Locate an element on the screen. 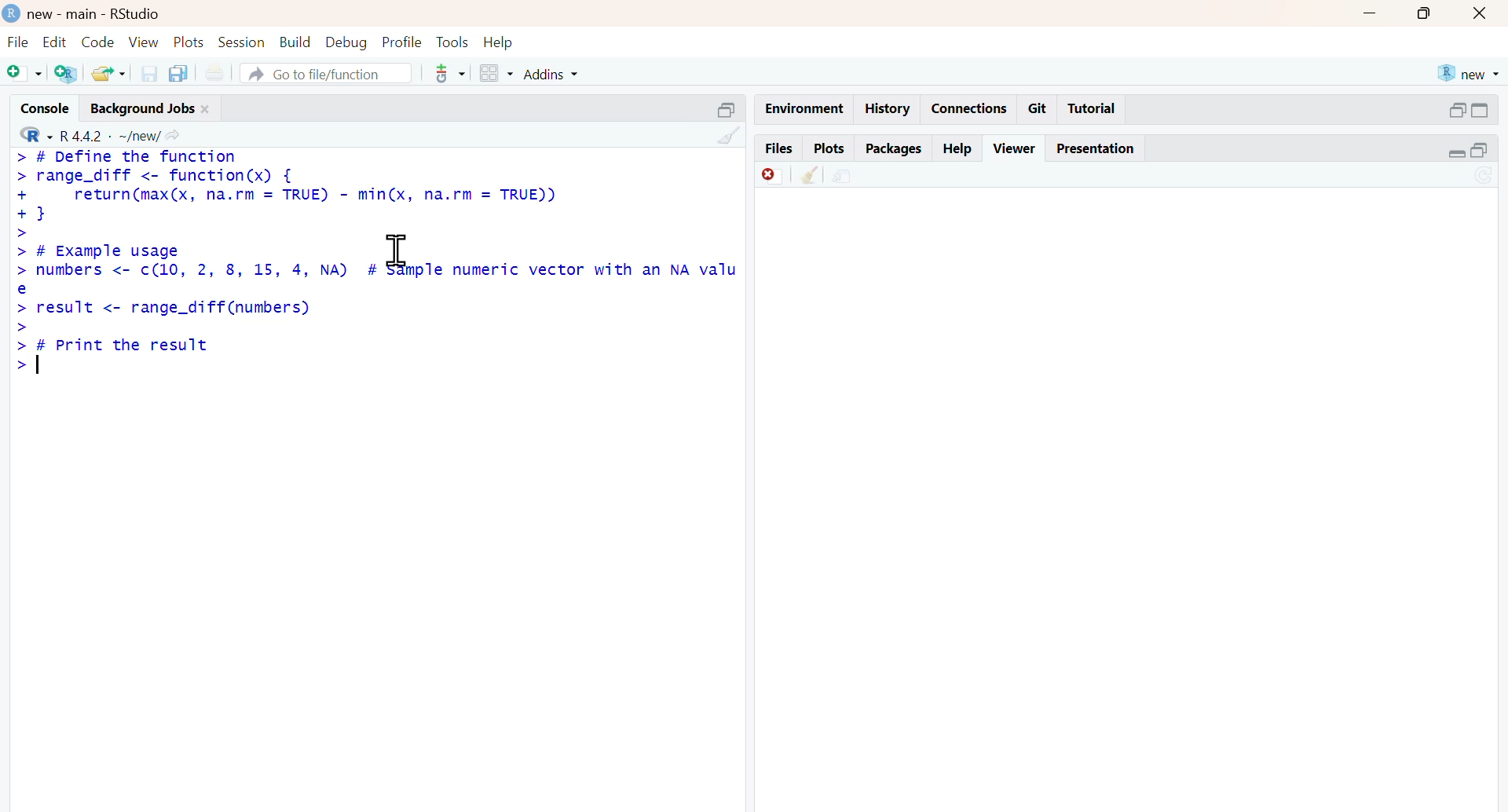  > is located at coordinates (20, 366).